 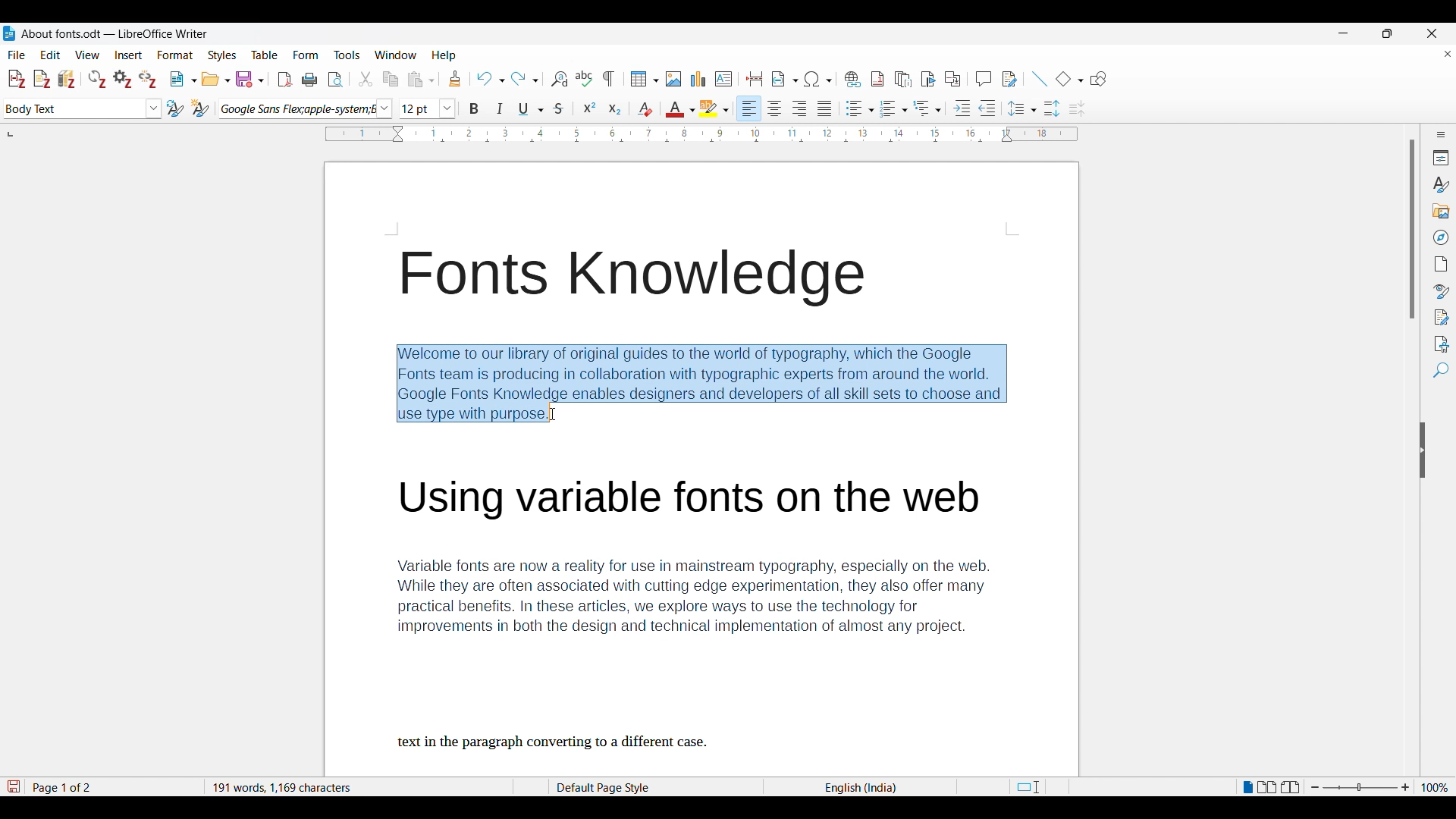 What do you see at coordinates (1442, 264) in the screenshot?
I see `Page` at bounding box center [1442, 264].